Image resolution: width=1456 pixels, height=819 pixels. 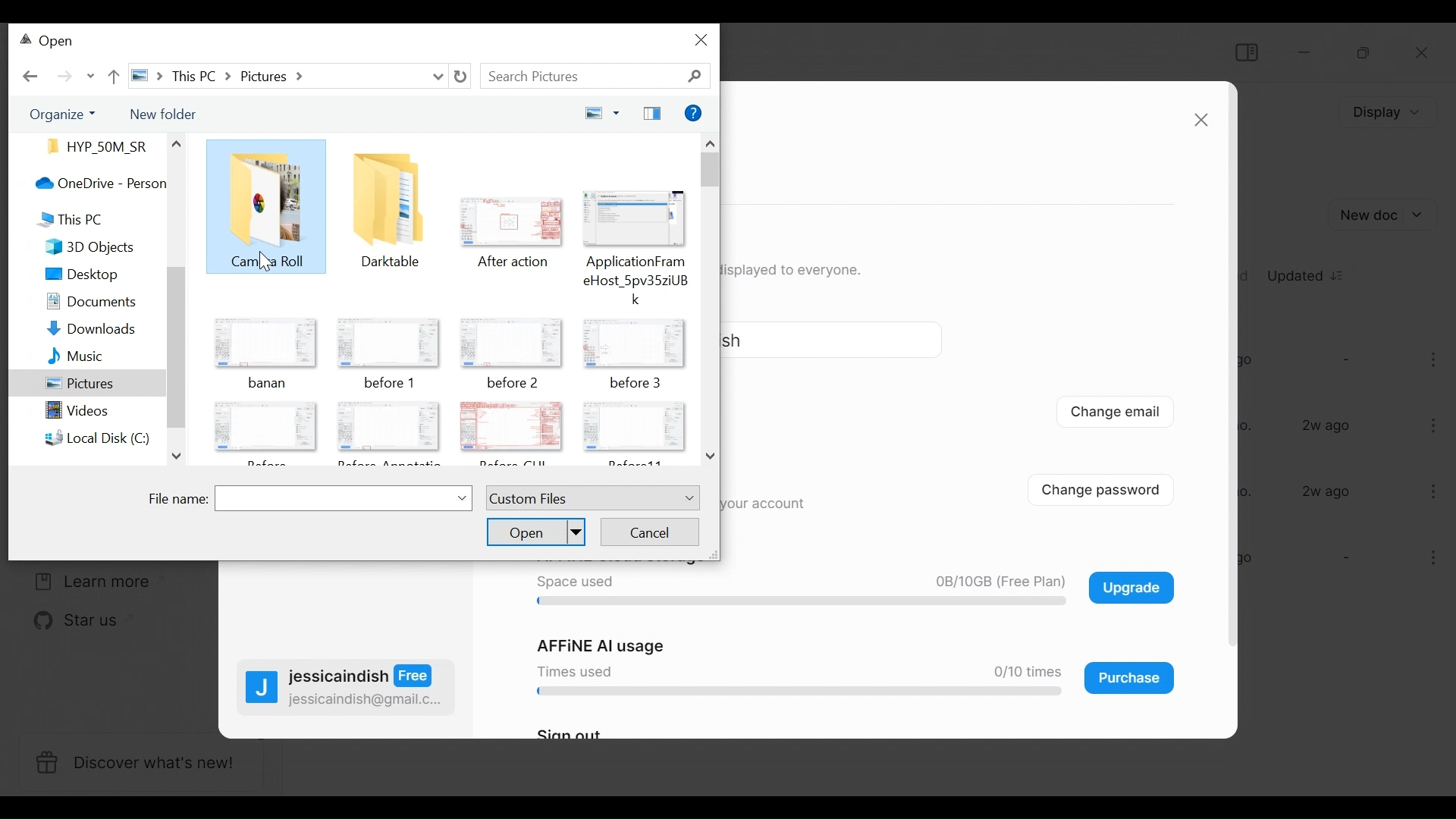 What do you see at coordinates (652, 115) in the screenshot?
I see `Show the preview pane` at bounding box center [652, 115].